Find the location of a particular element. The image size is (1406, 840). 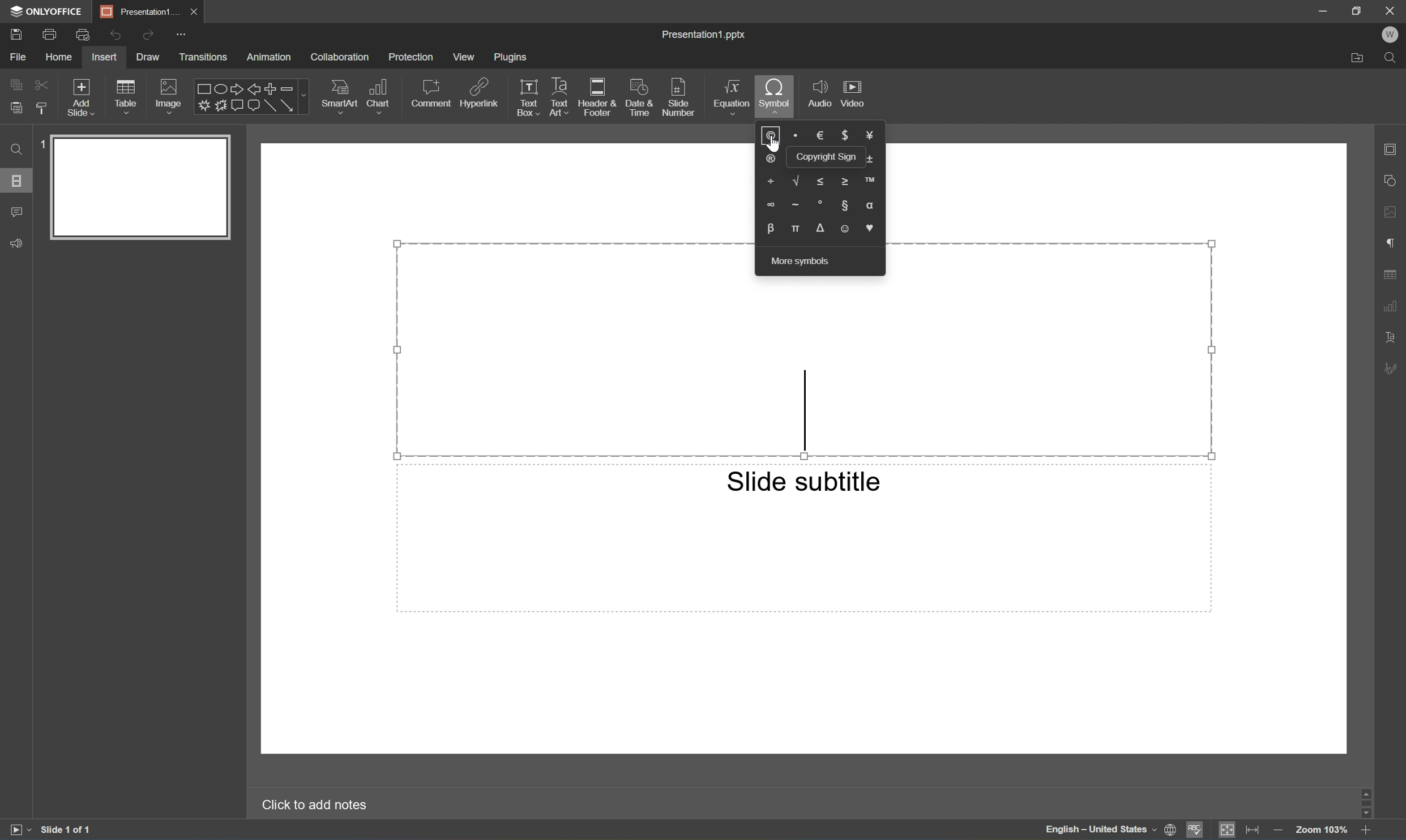

Slide number is located at coordinates (678, 95).